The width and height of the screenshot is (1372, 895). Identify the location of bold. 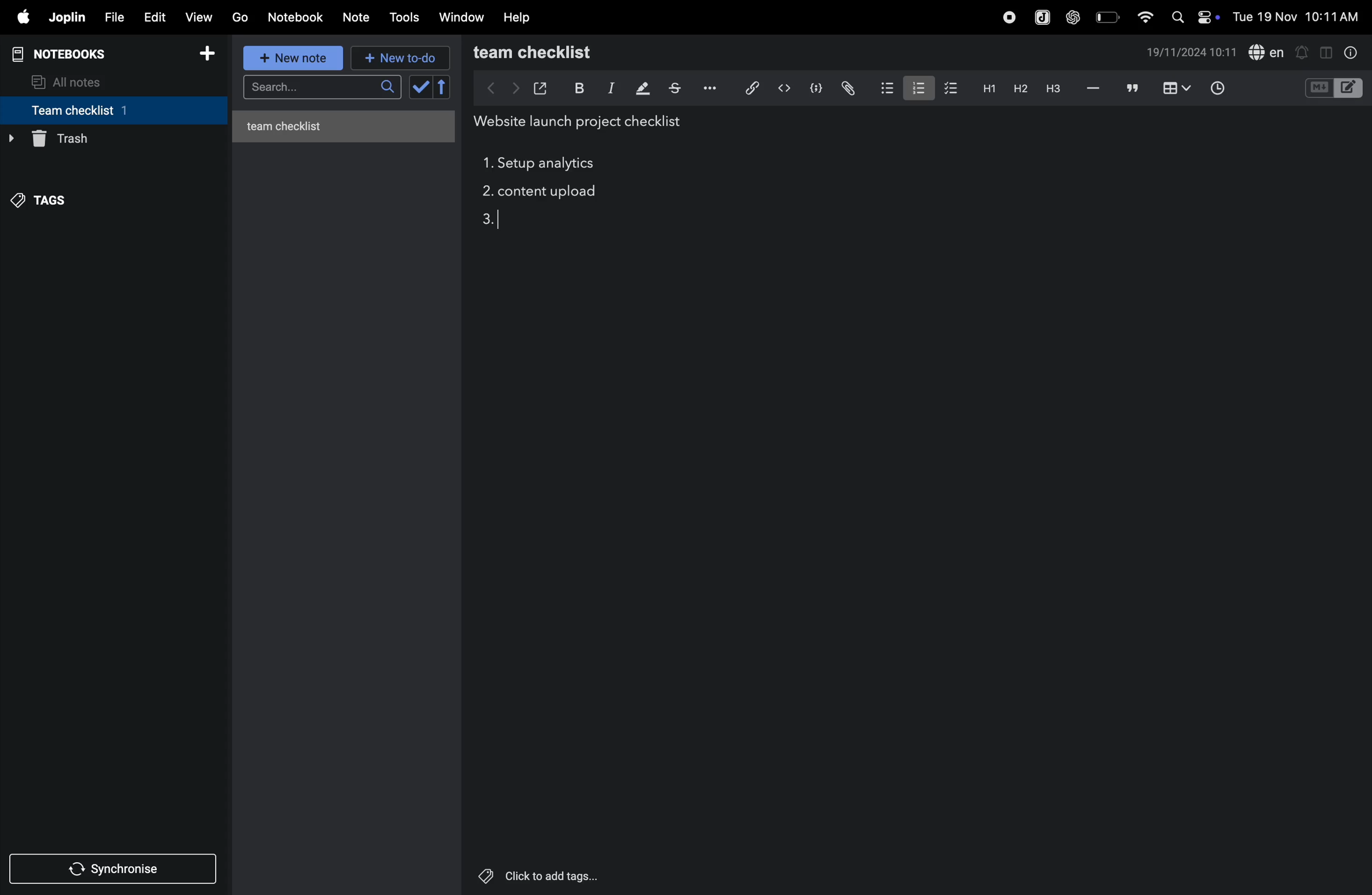
(578, 87).